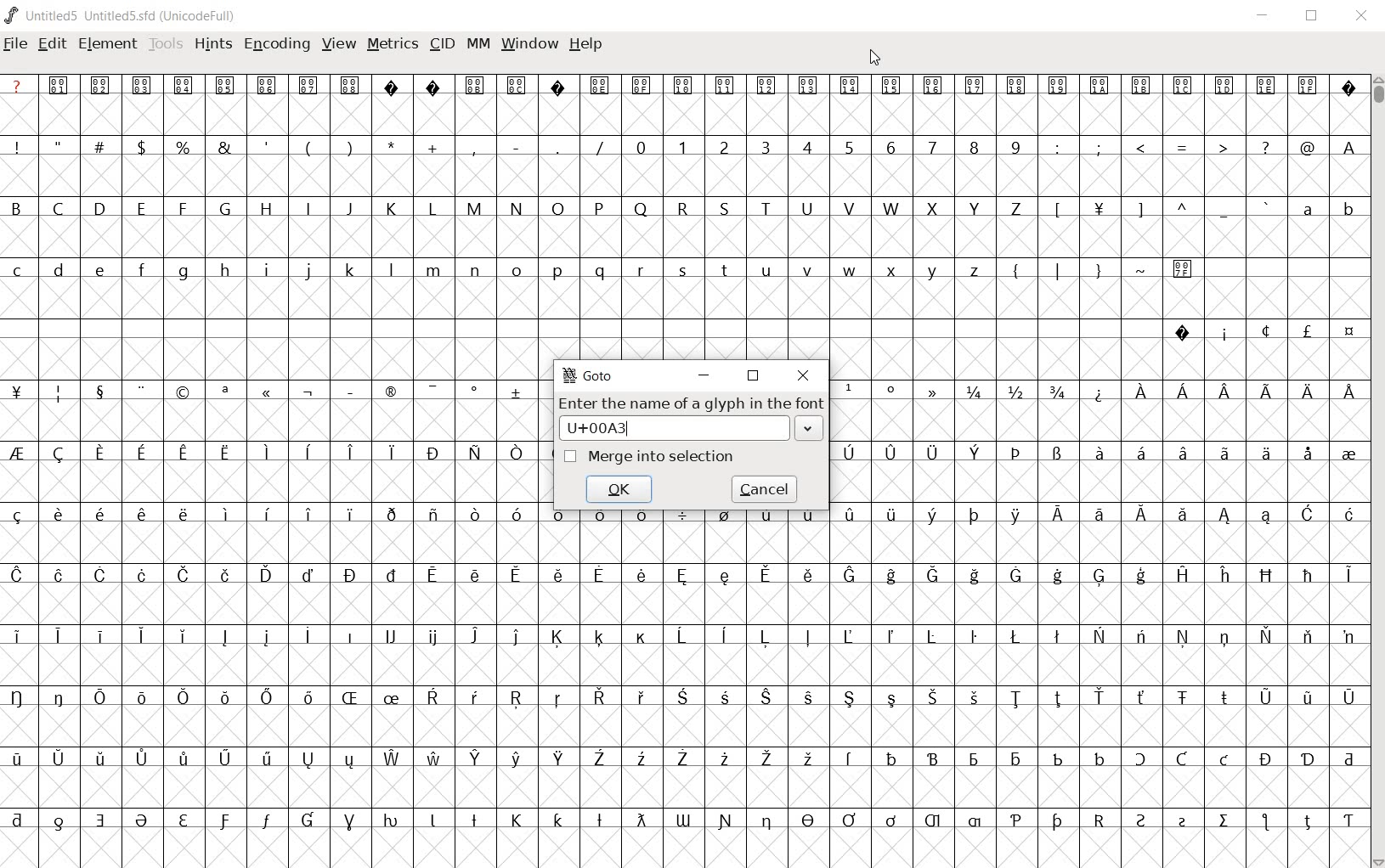  I want to click on Symbol, so click(1142, 820).